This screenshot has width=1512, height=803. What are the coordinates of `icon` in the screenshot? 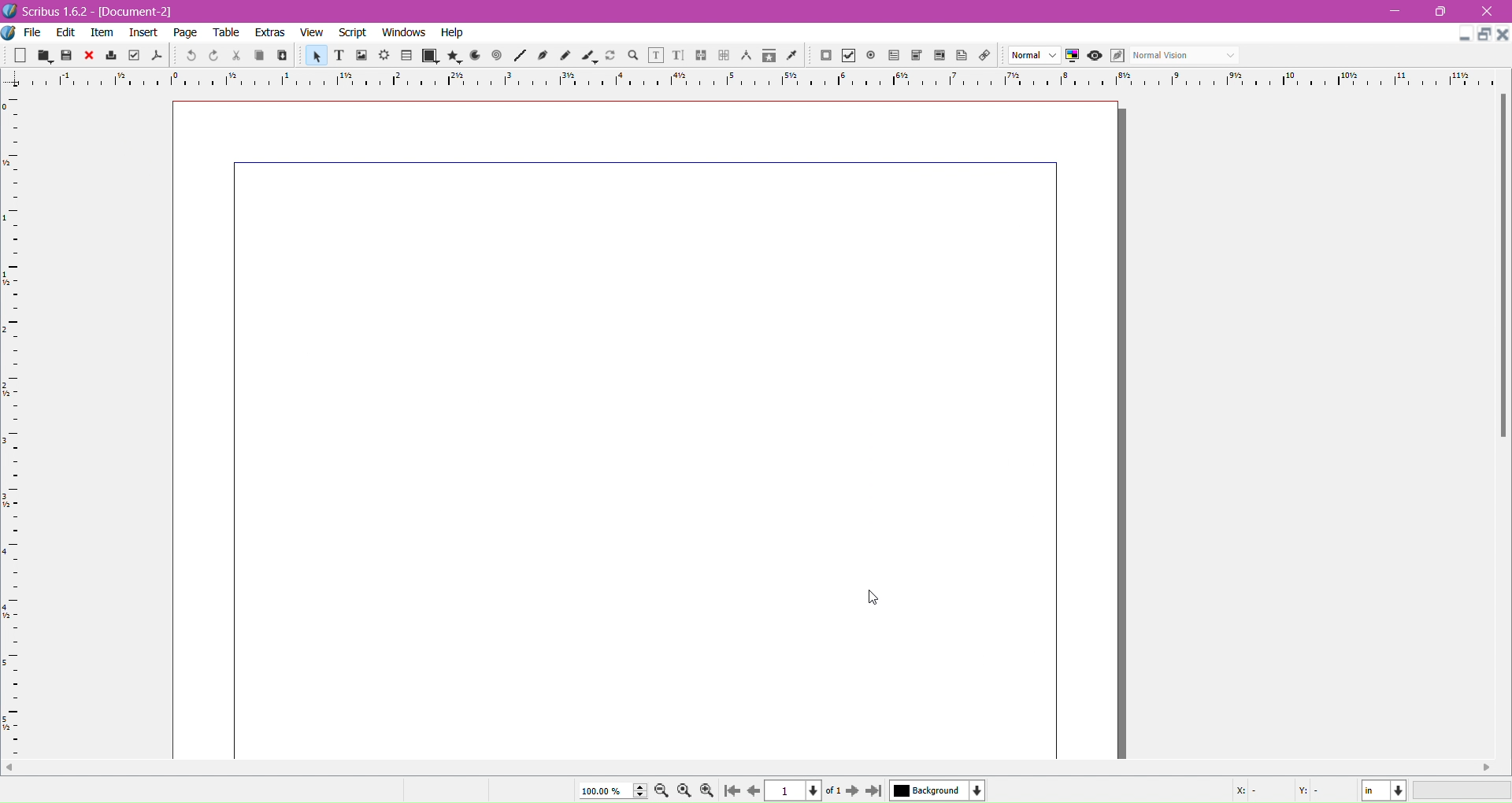 It's located at (408, 56).